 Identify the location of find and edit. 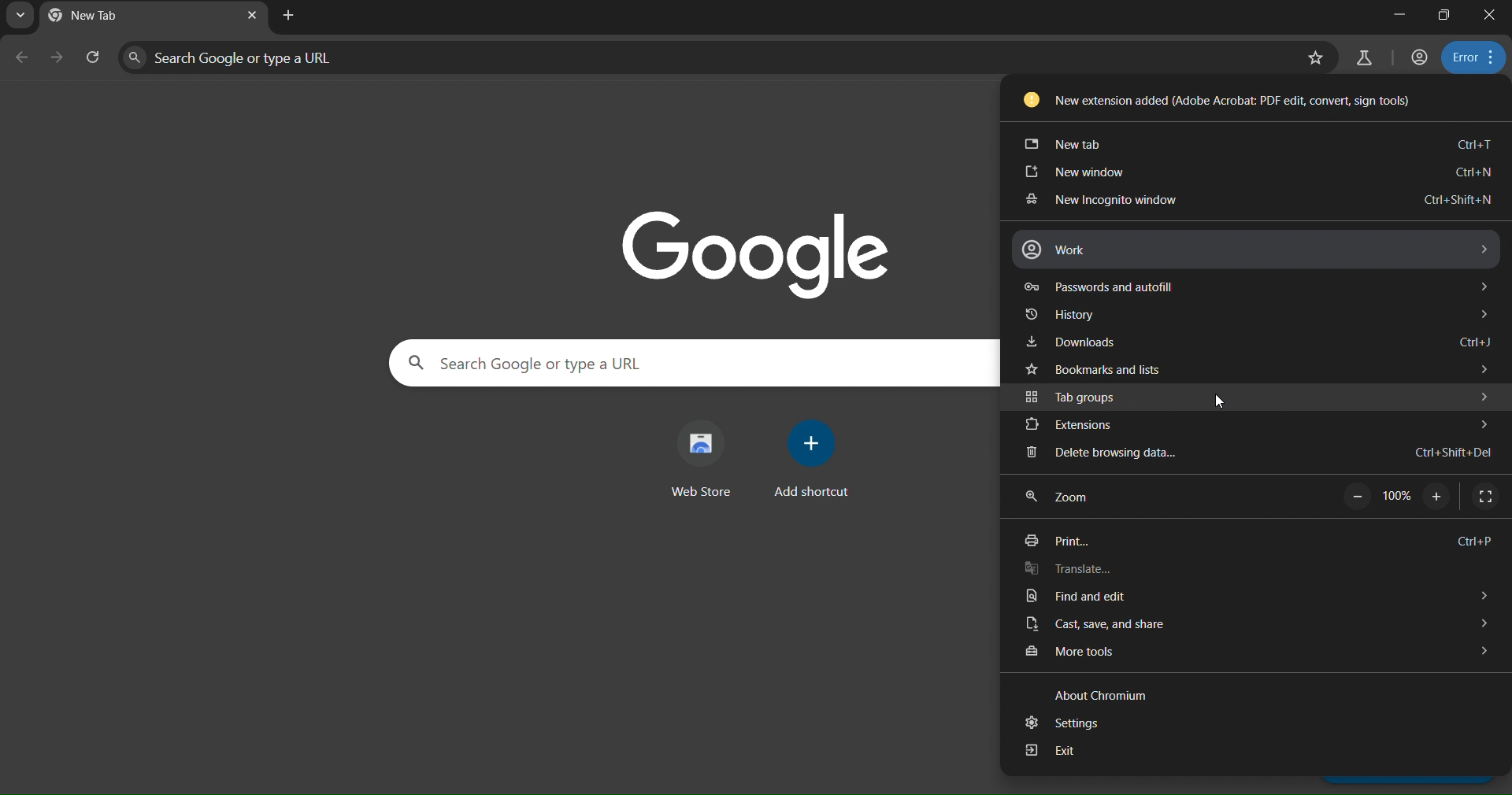
(1260, 598).